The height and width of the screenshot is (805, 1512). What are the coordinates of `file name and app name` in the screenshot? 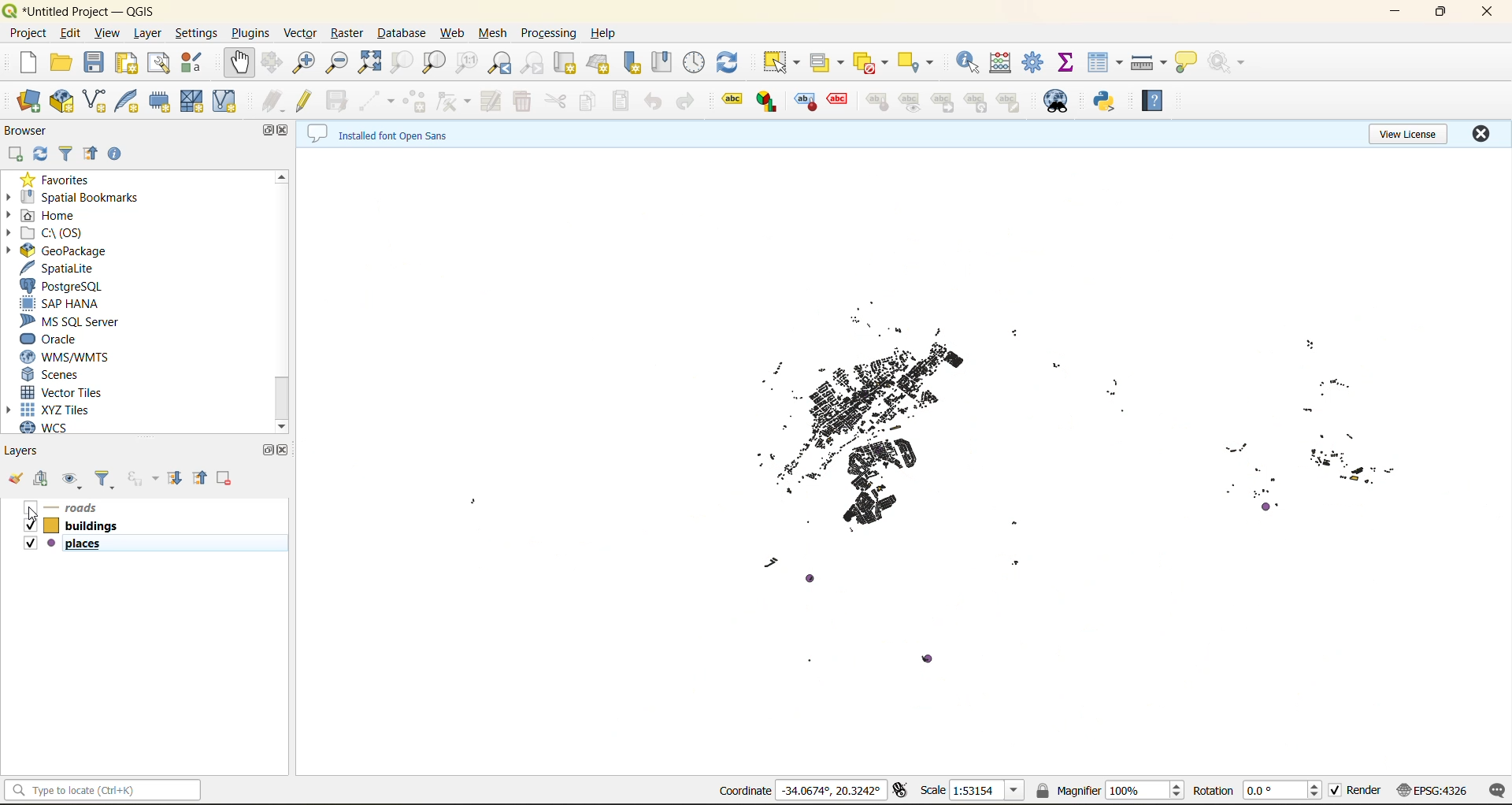 It's located at (79, 12).